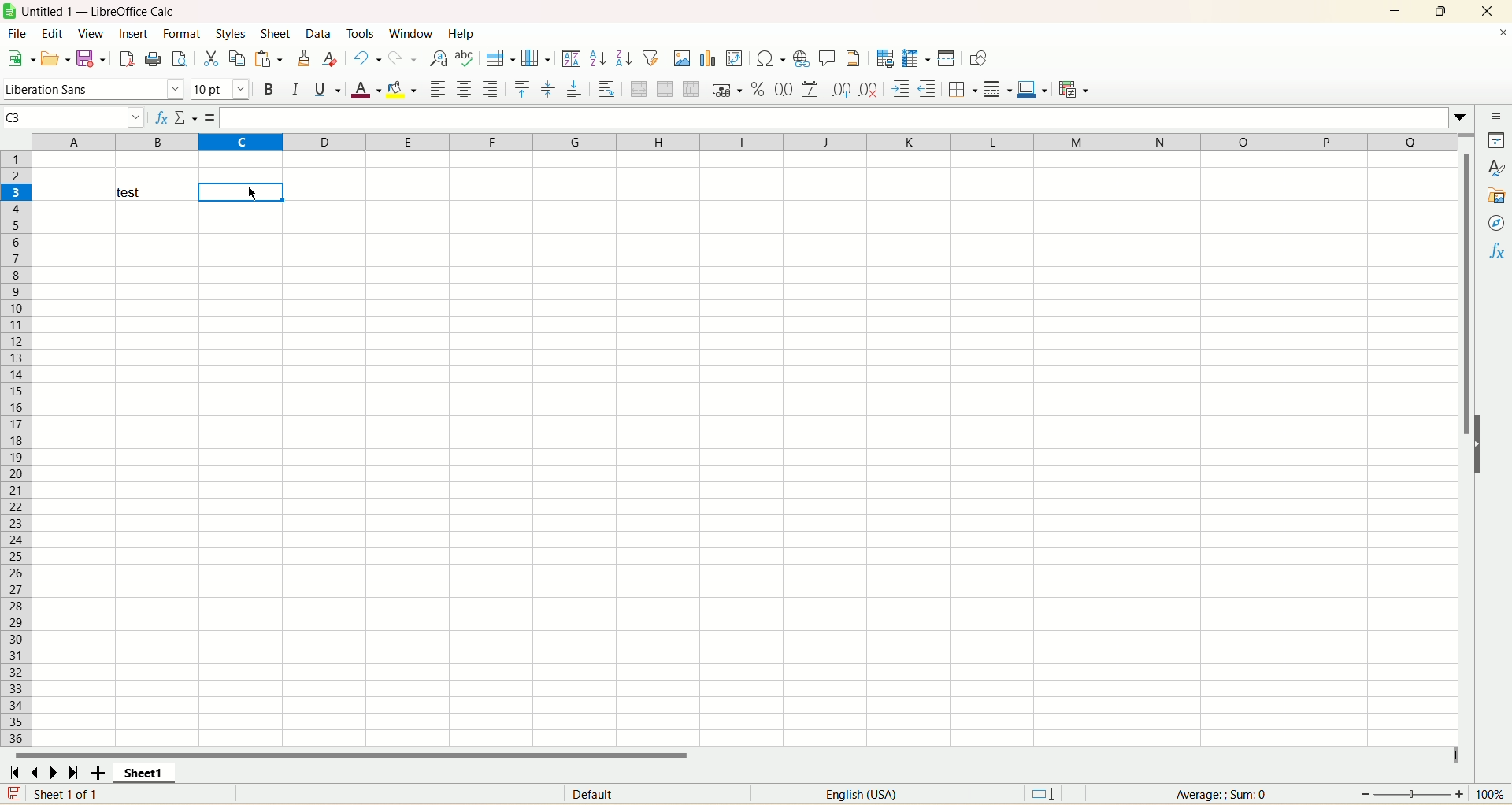 The image size is (1512, 805). Describe the element at coordinates (461, 33) in the screenshot. I see `help` at that location.